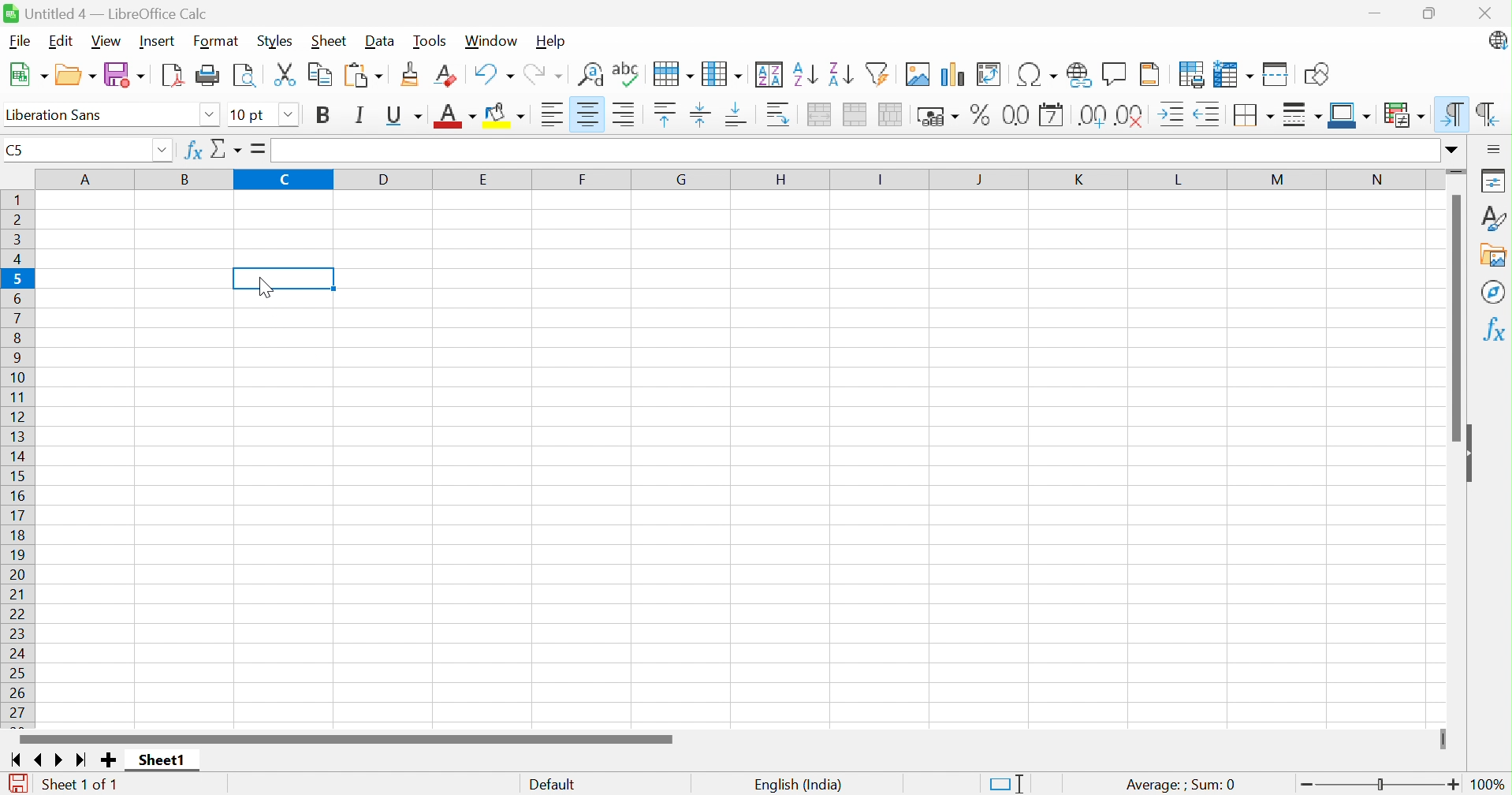 The image size is (1512, 795). What do you see at coordinates (1454, 113) in the screenshot?
I see `Left-To-Right` at bounding box center [1454, 113].